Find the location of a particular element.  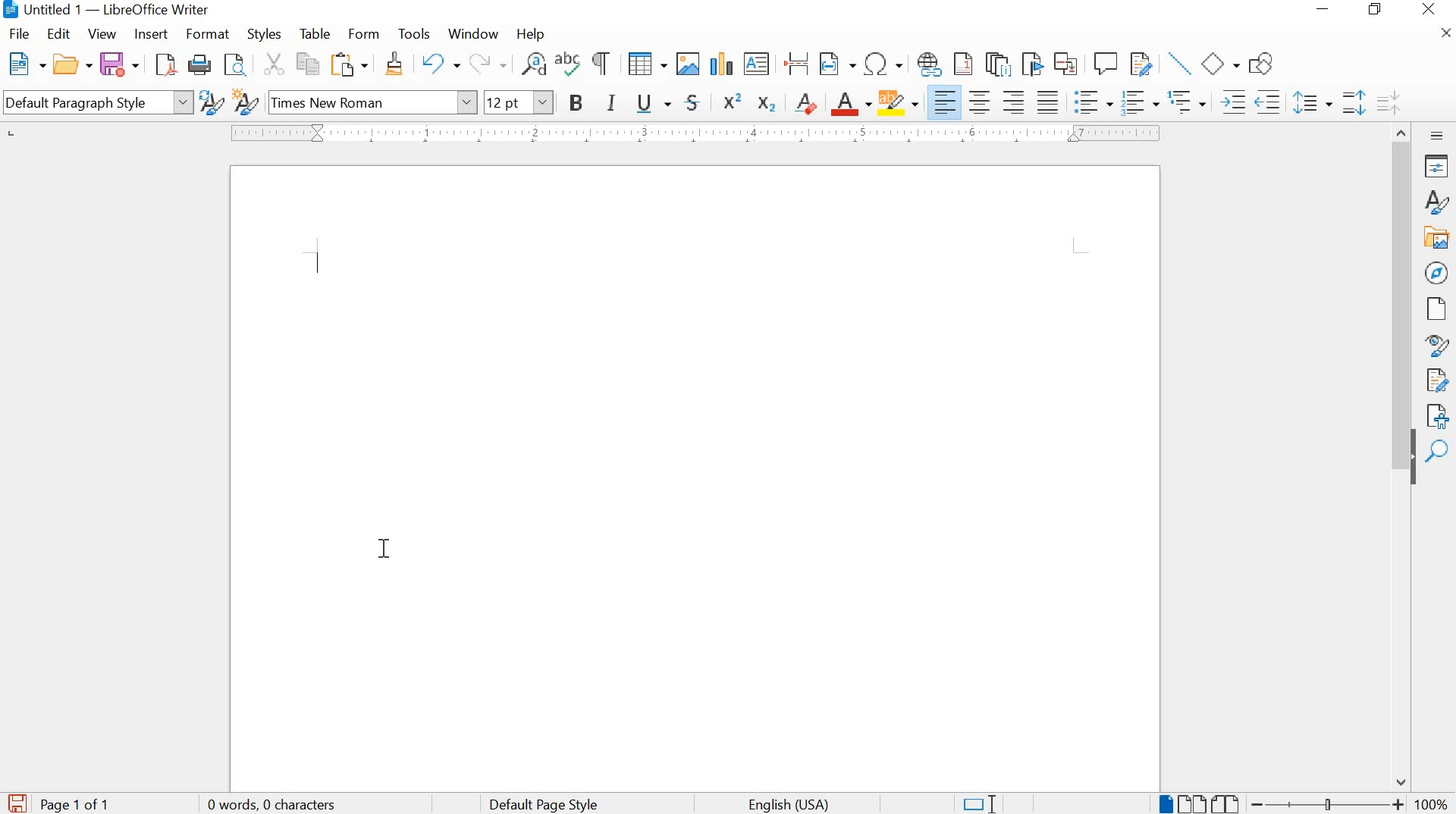

FIND AND REPLACE is located at coordinates (532, 64).